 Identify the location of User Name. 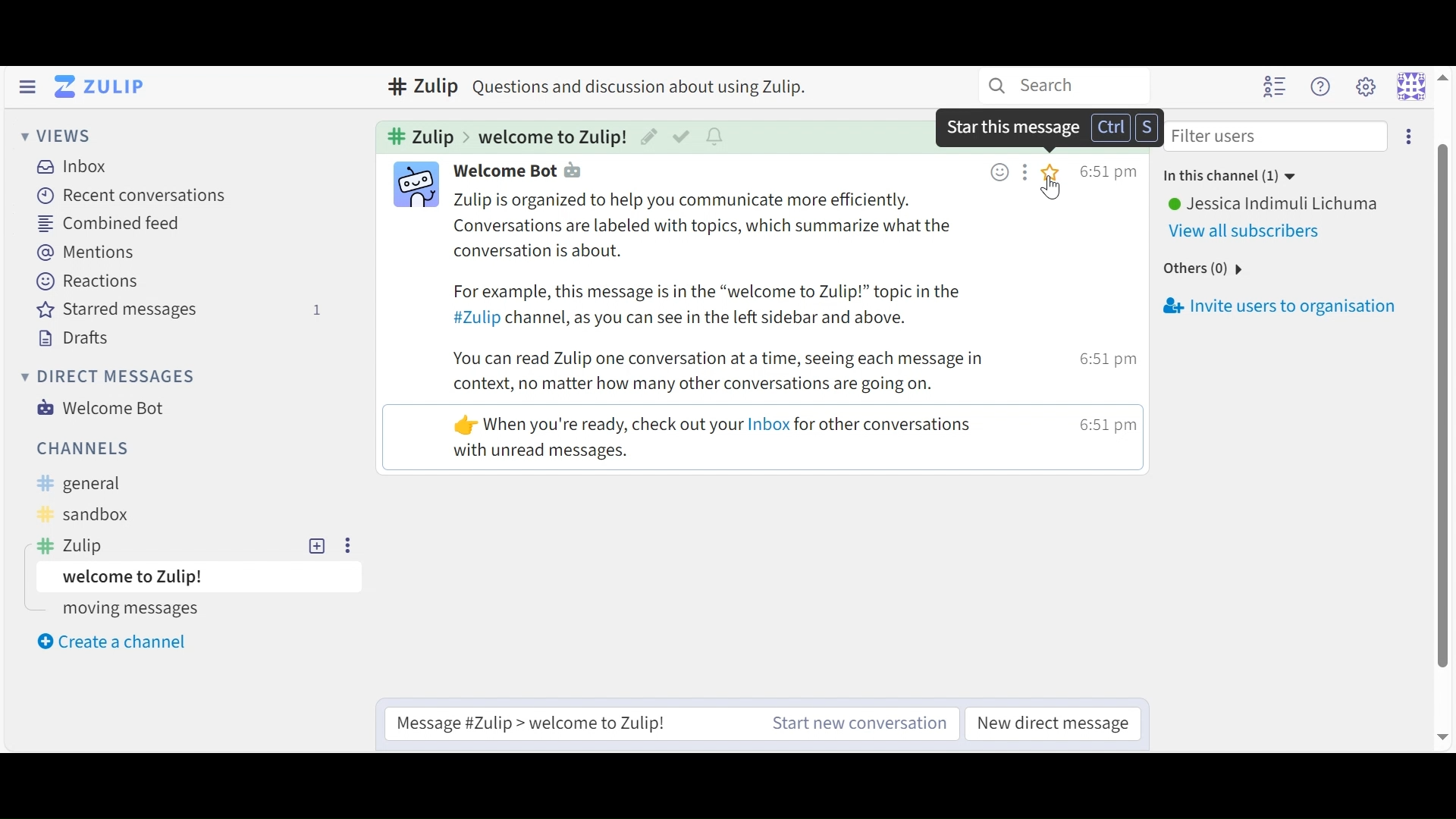
(1281, 203).